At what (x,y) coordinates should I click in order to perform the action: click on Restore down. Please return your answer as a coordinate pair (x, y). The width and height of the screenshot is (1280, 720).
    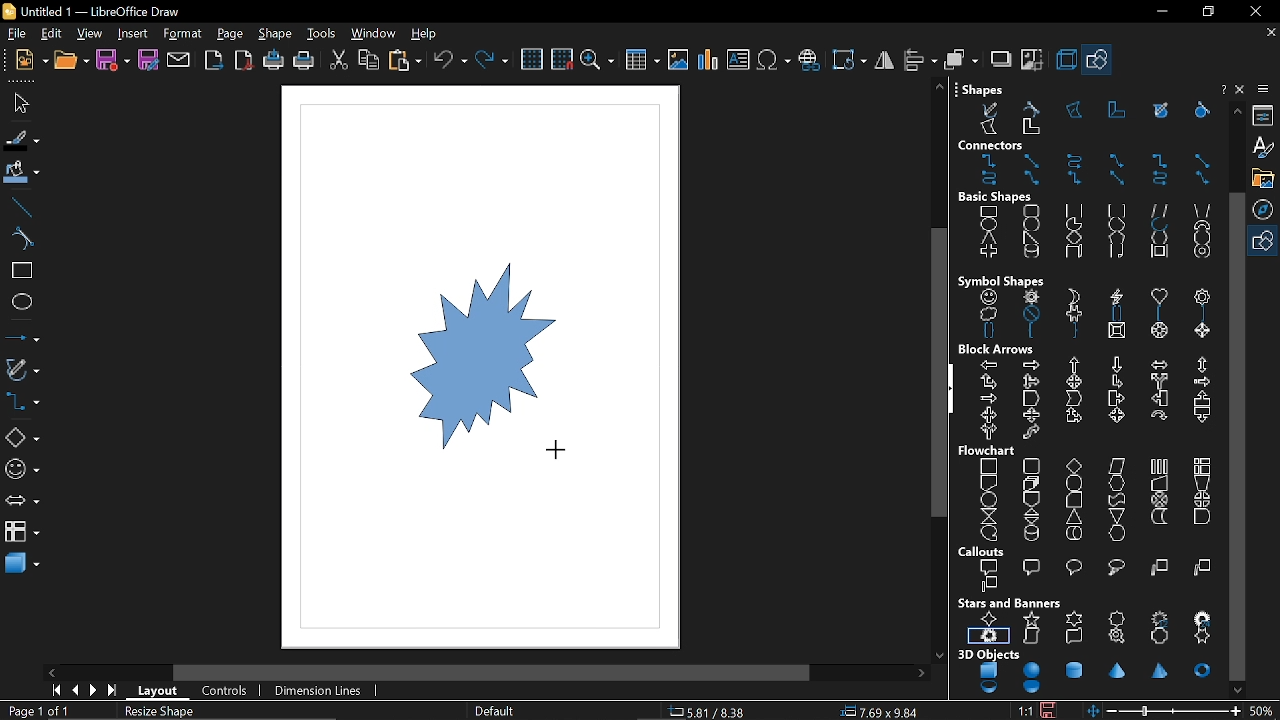
    Looking at the image, I should click on (1206, 13).